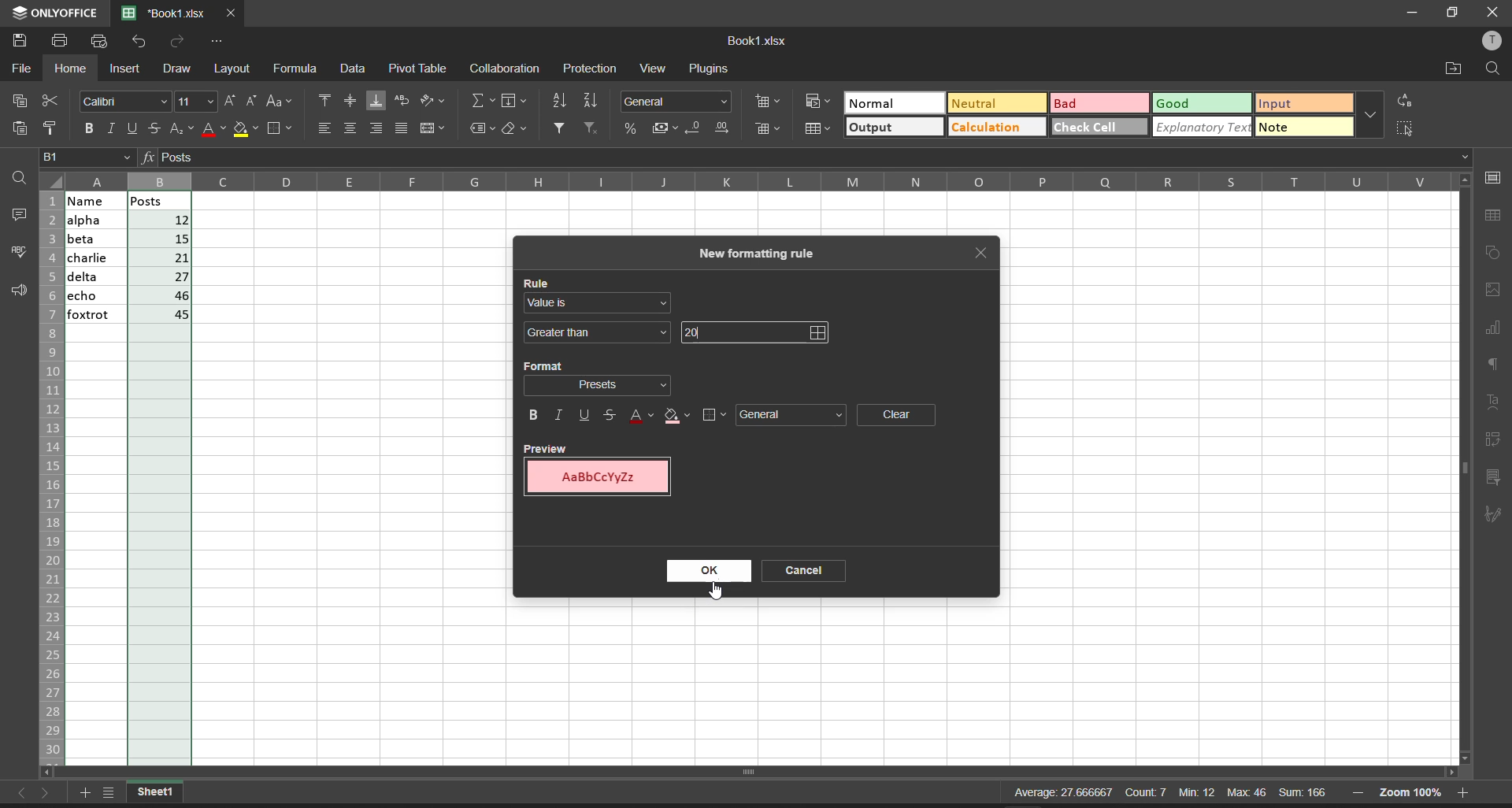 This screenshot has height=808, width=1512. What do you see at coordinates (661, 125) in the screenshot?
I see `accounting style` at bounding box center [661, 125].